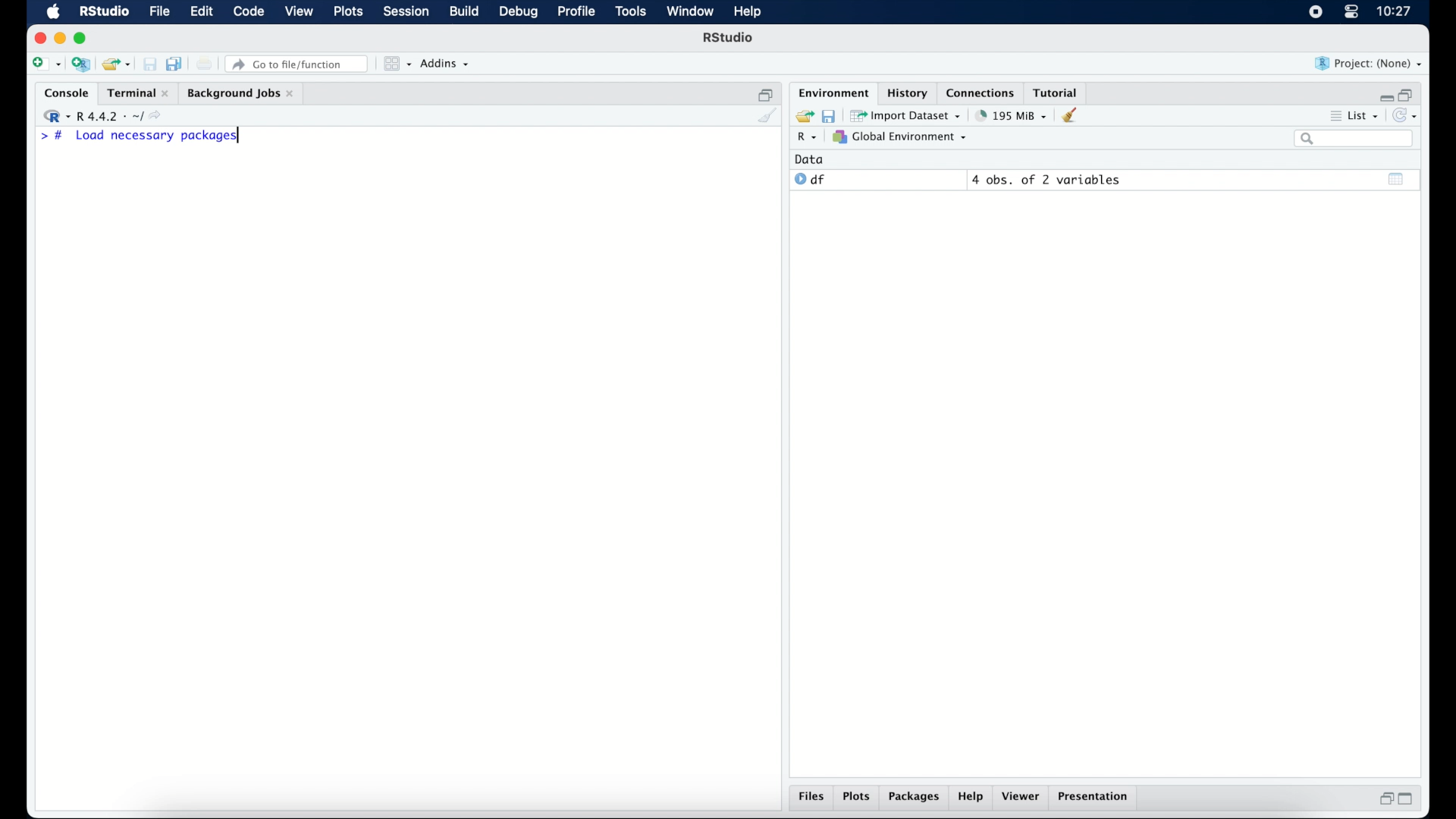 This screenshot has height=819, width=1456. Describe the element at coordinates (828, 115) in the screenshot. I see `save` at that location.